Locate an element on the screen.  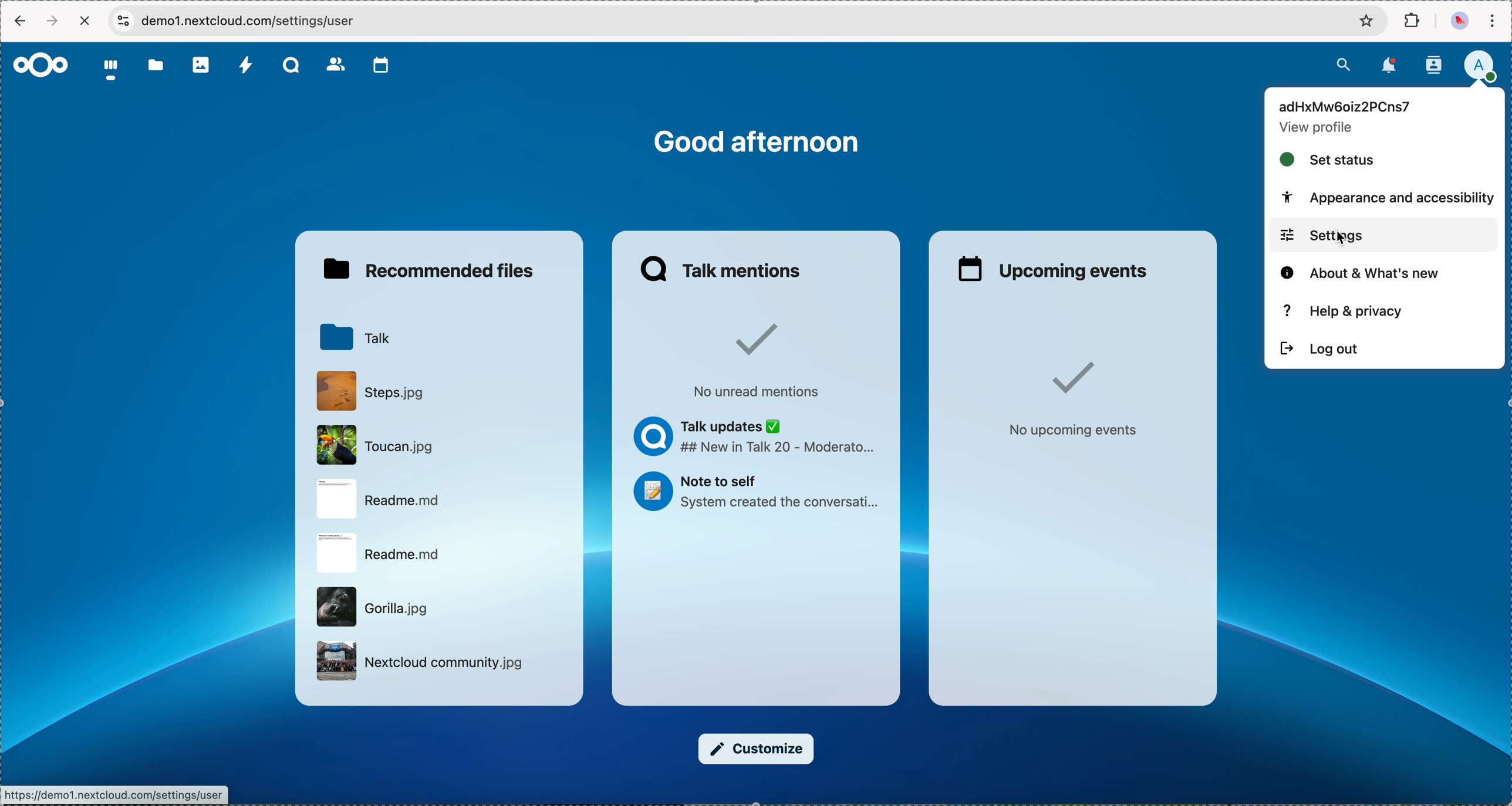
file is located at coordinates (372, 446).